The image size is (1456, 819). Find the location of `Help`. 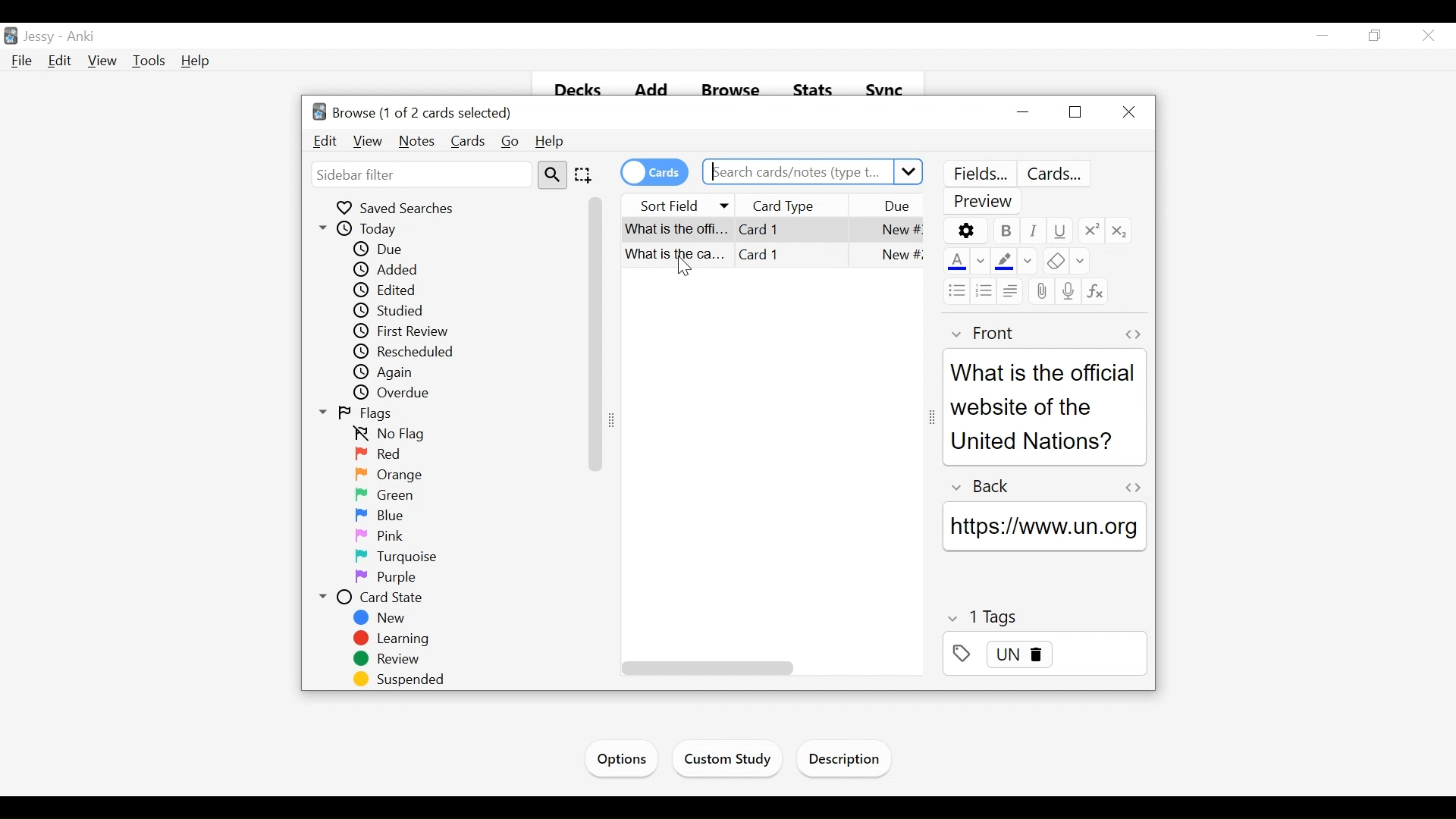

Help is located at coordinates (195, 61).